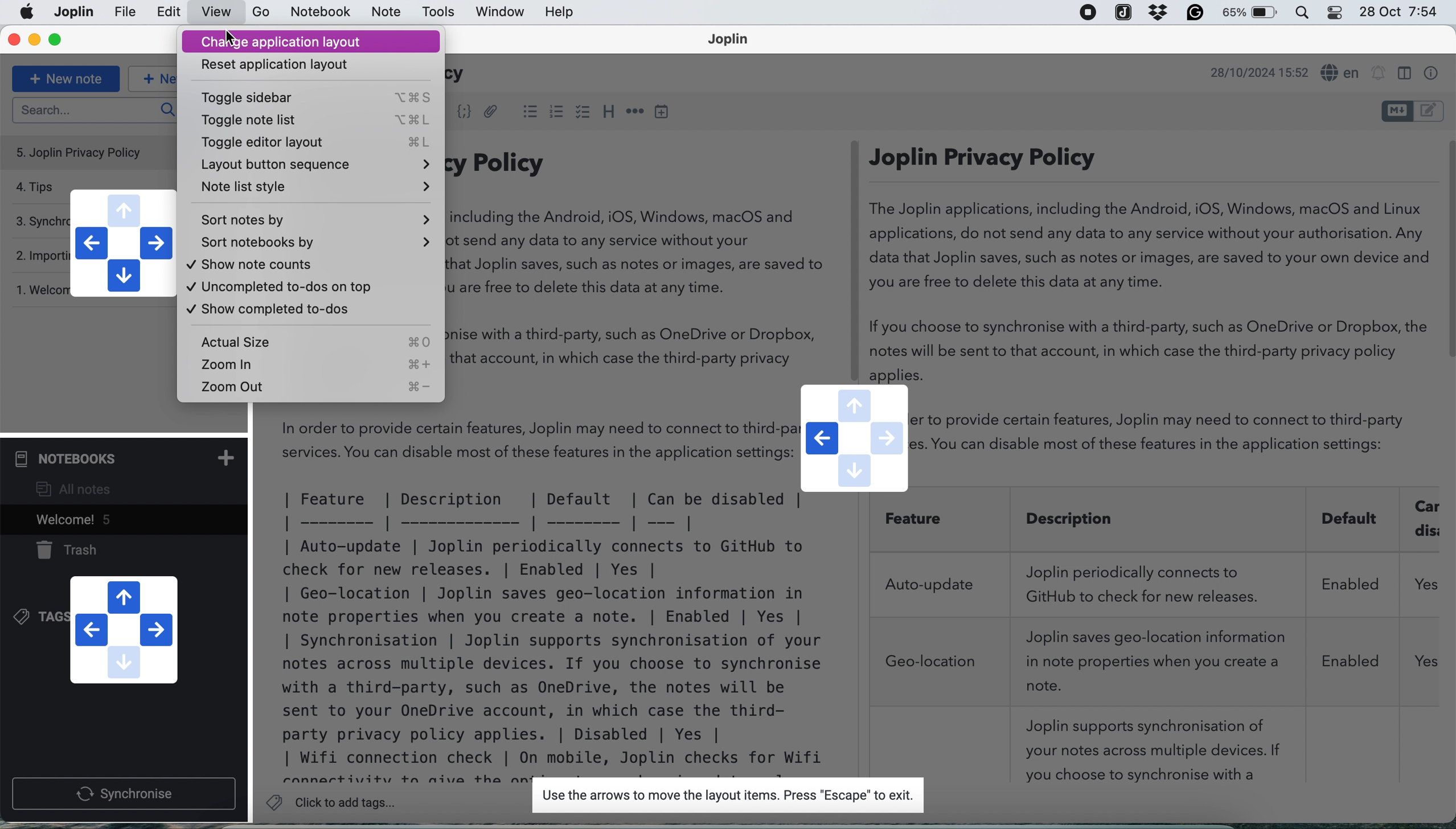 The image size is (1456, 829). I want to click on dropbox, so click(1155, 13).